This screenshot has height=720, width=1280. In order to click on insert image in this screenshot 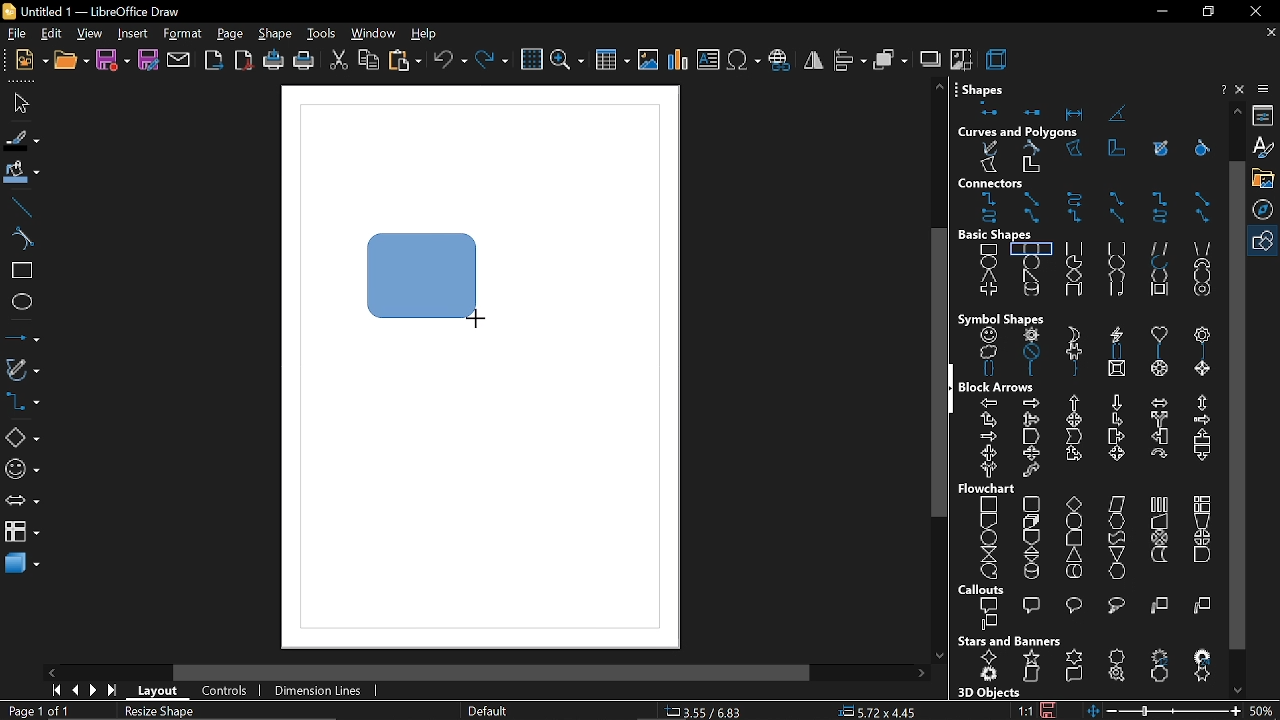, I will do `click(648, 61)`.